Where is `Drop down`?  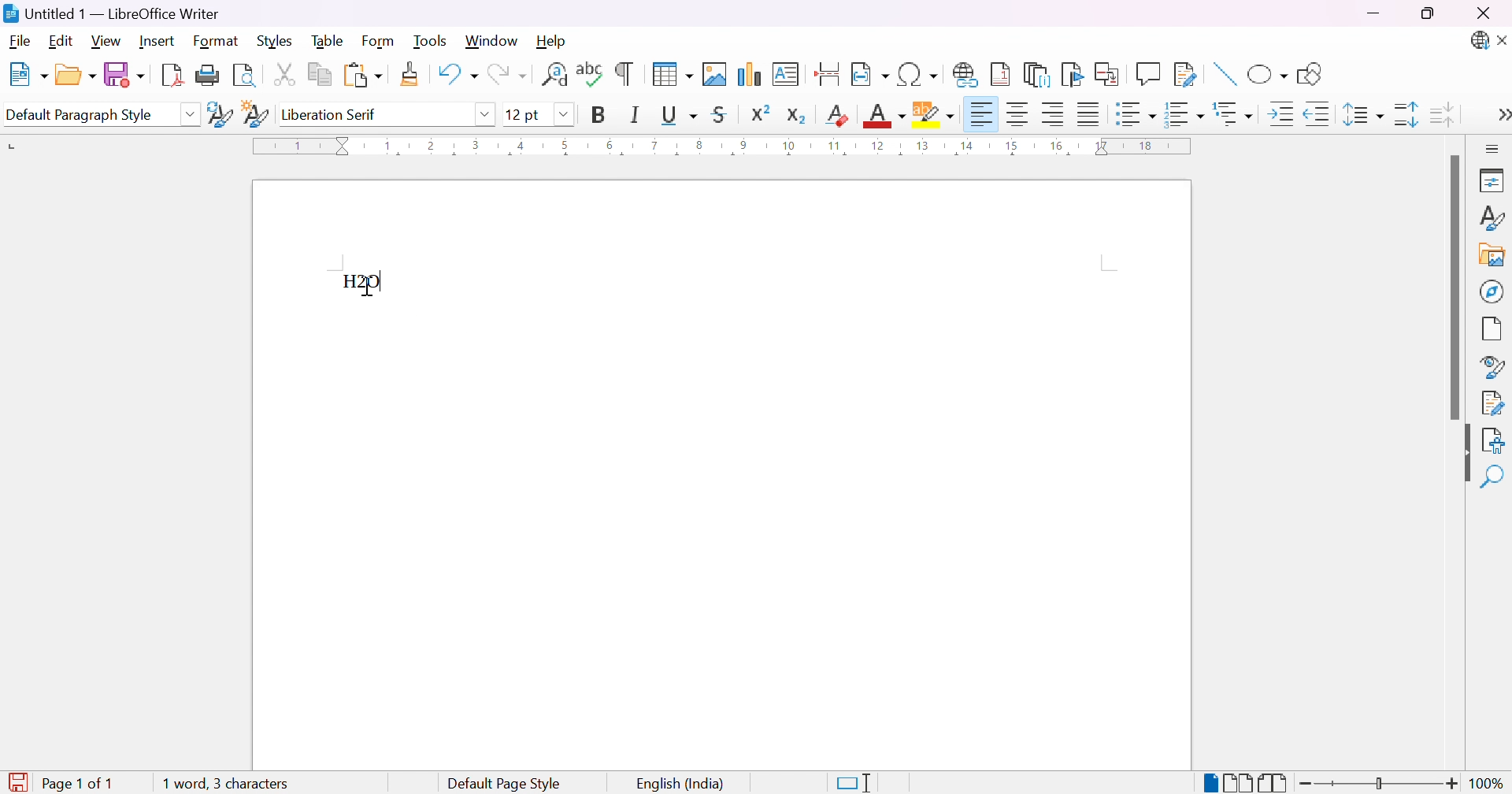 Drop down is located at coordinates (565, 115).